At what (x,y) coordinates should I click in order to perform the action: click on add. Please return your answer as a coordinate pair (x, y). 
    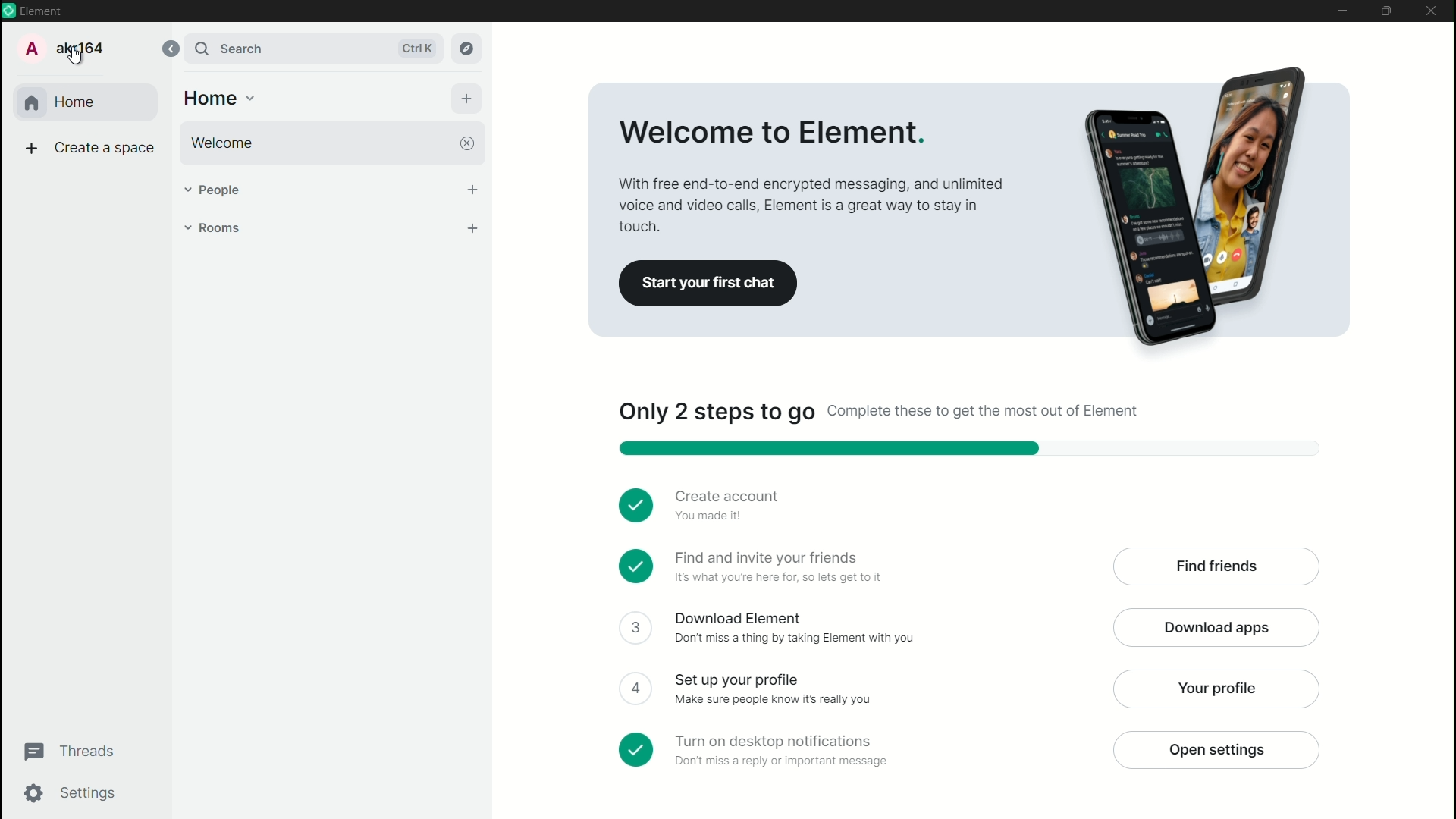
    Looking at the image, I should click on (468, 99).